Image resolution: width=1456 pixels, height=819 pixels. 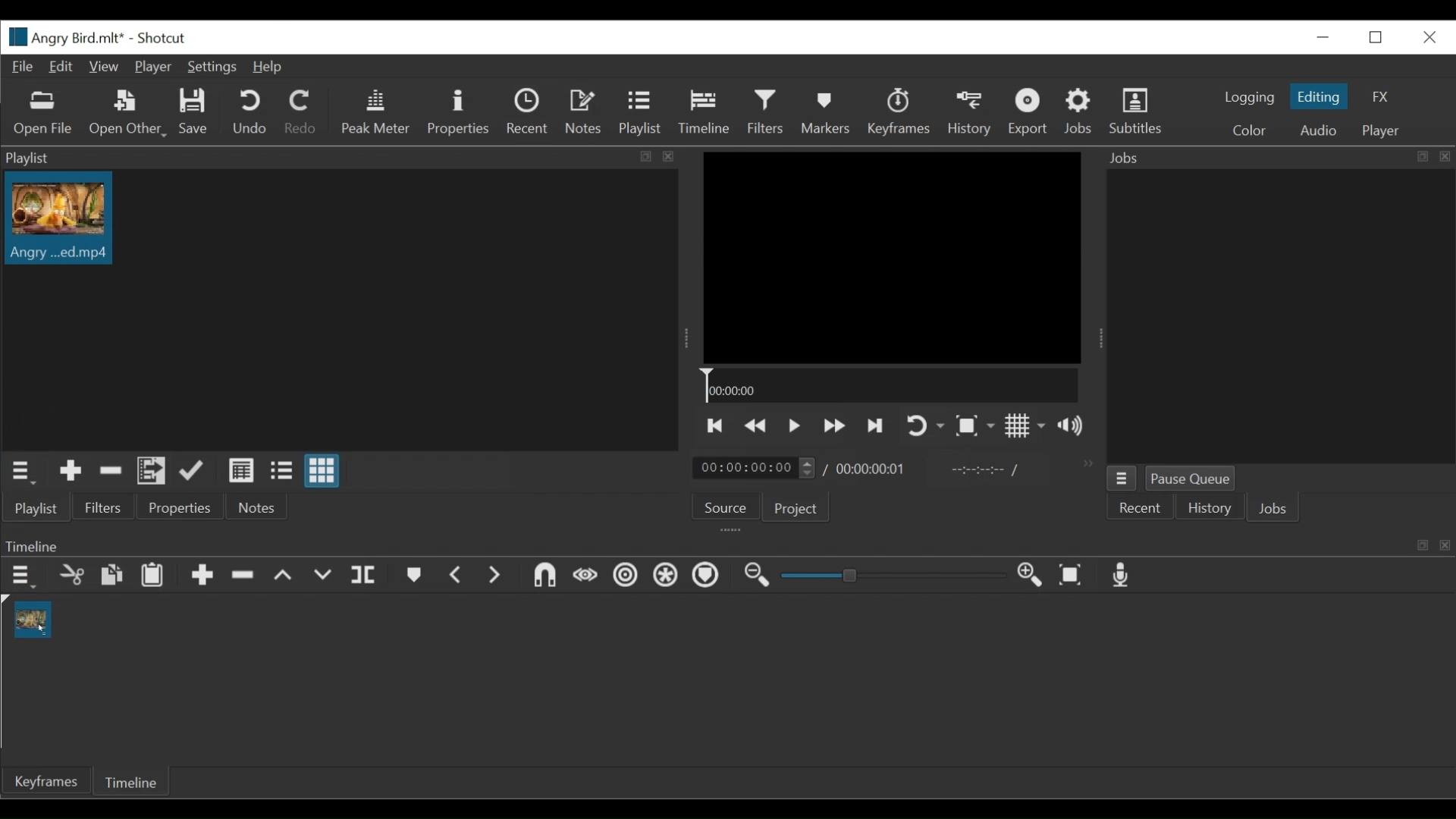 I want to click on lift, so click(x=285, y=575).